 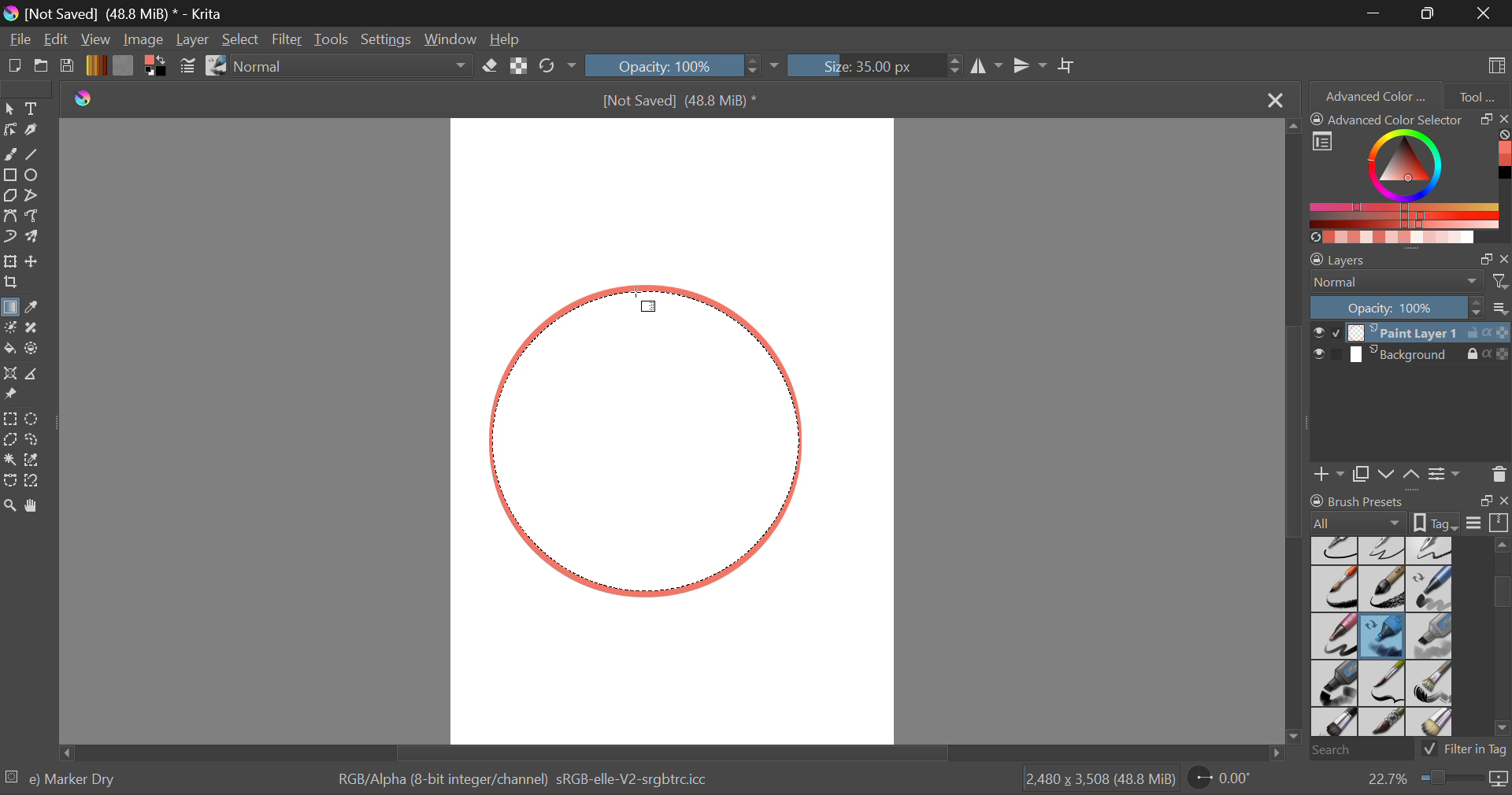 What do you see at coordinates (154, 66) in the screenshot?
I see `Colors in Use` at bounding box center [154, 66].